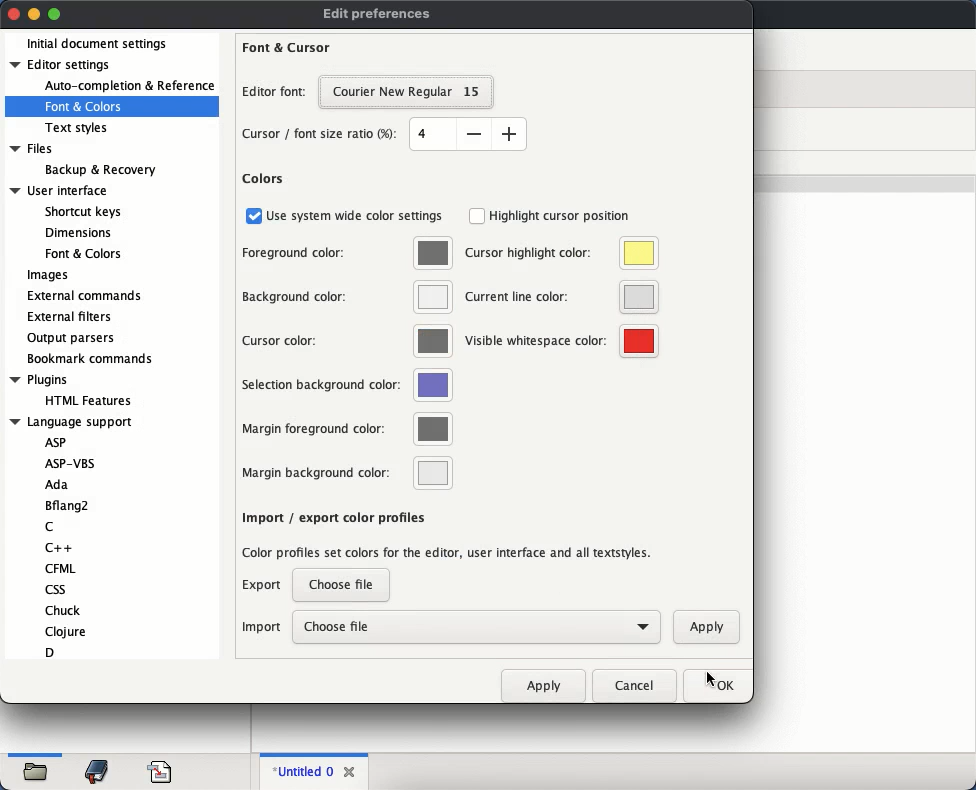 The image size is (976, 790). I want to click on Cursor, so click(710, 681).